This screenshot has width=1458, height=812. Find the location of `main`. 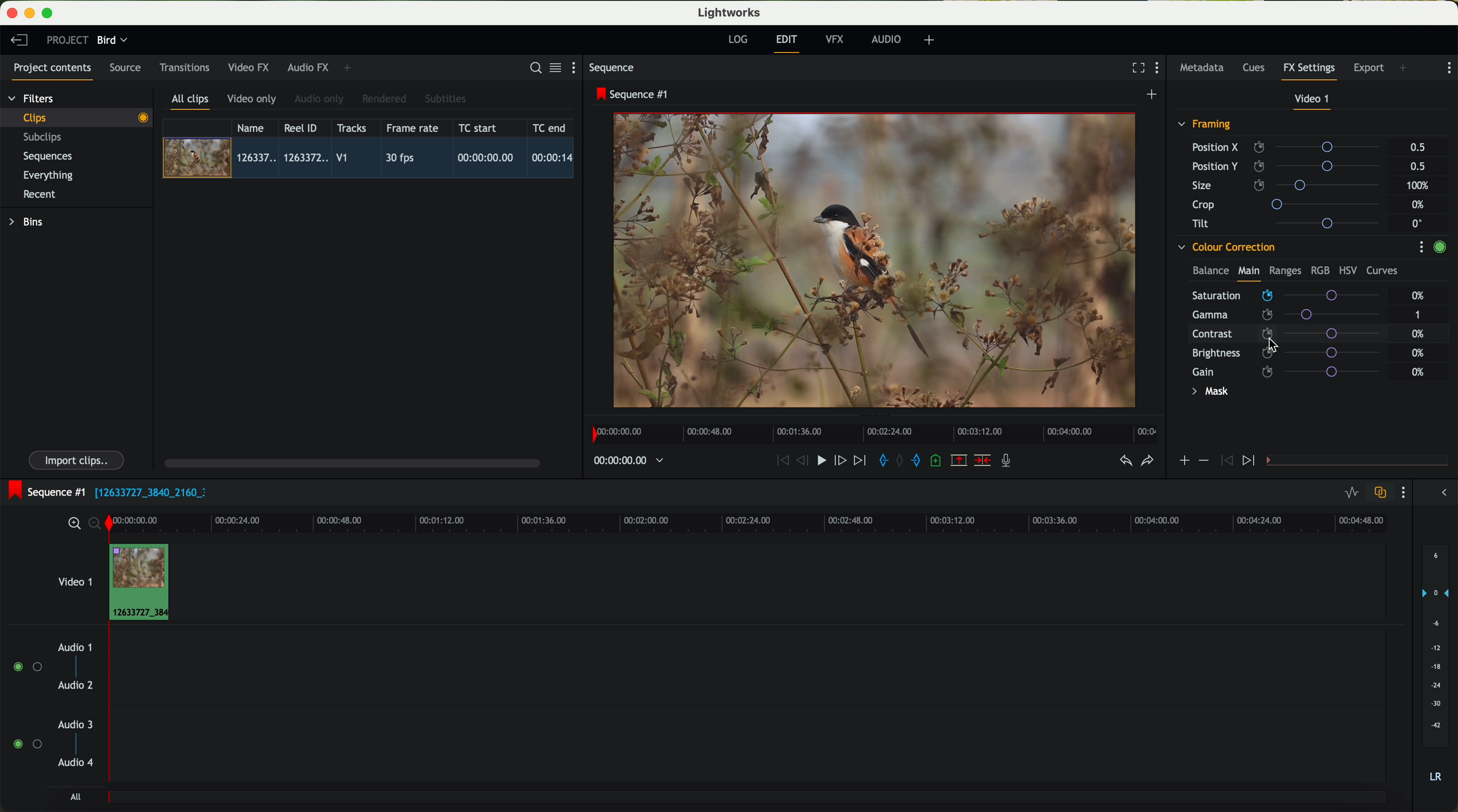

main is located at coordinates (1249, 273).